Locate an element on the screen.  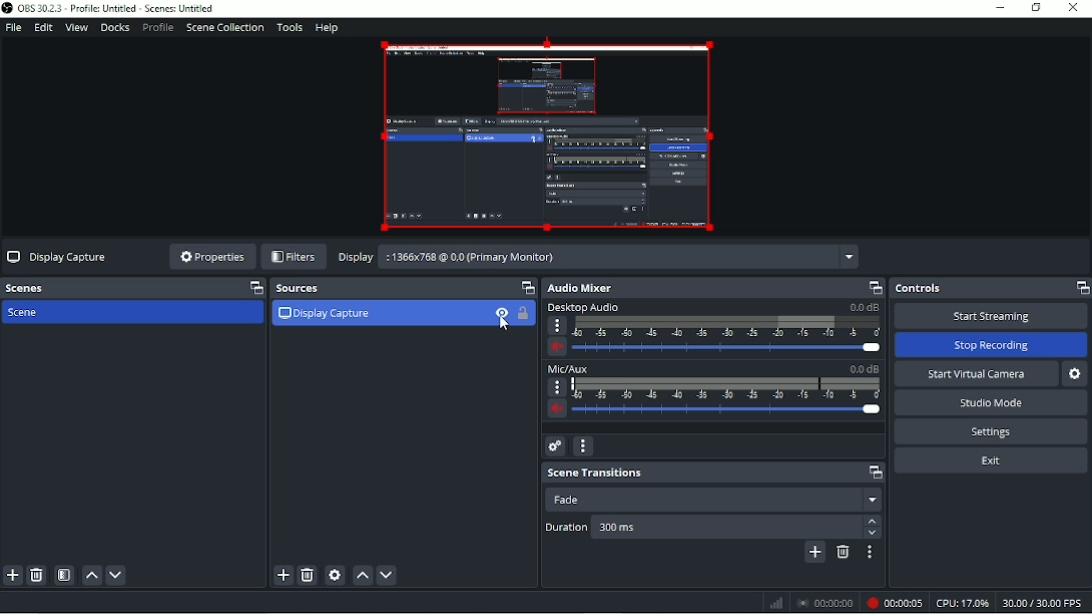
Move scene down is located at coordinates (116, 575).